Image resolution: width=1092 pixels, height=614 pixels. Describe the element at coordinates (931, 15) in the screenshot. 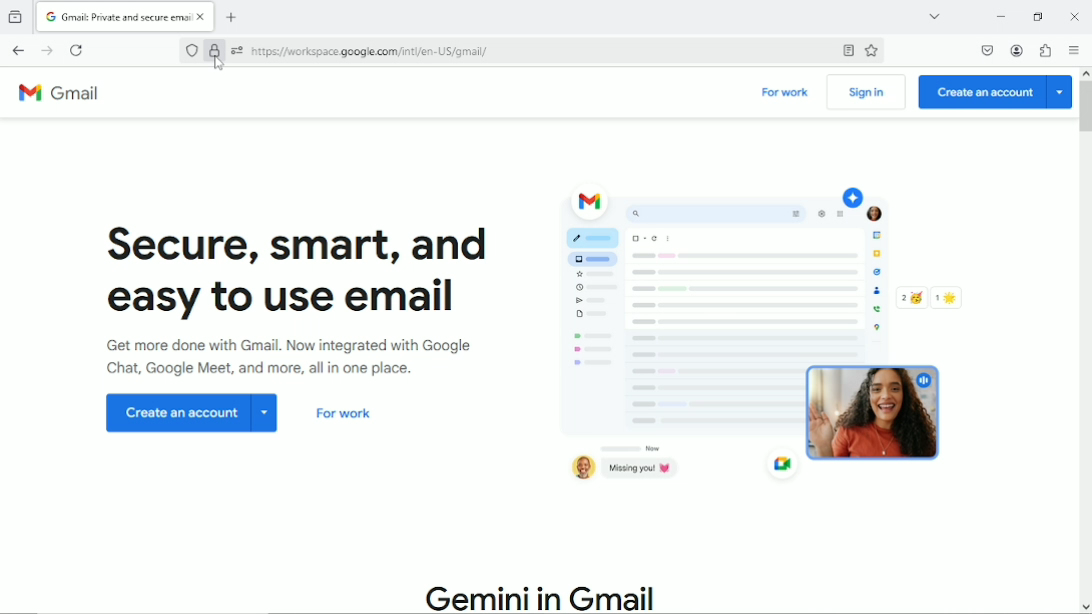

I see `list all tabs` at that location.